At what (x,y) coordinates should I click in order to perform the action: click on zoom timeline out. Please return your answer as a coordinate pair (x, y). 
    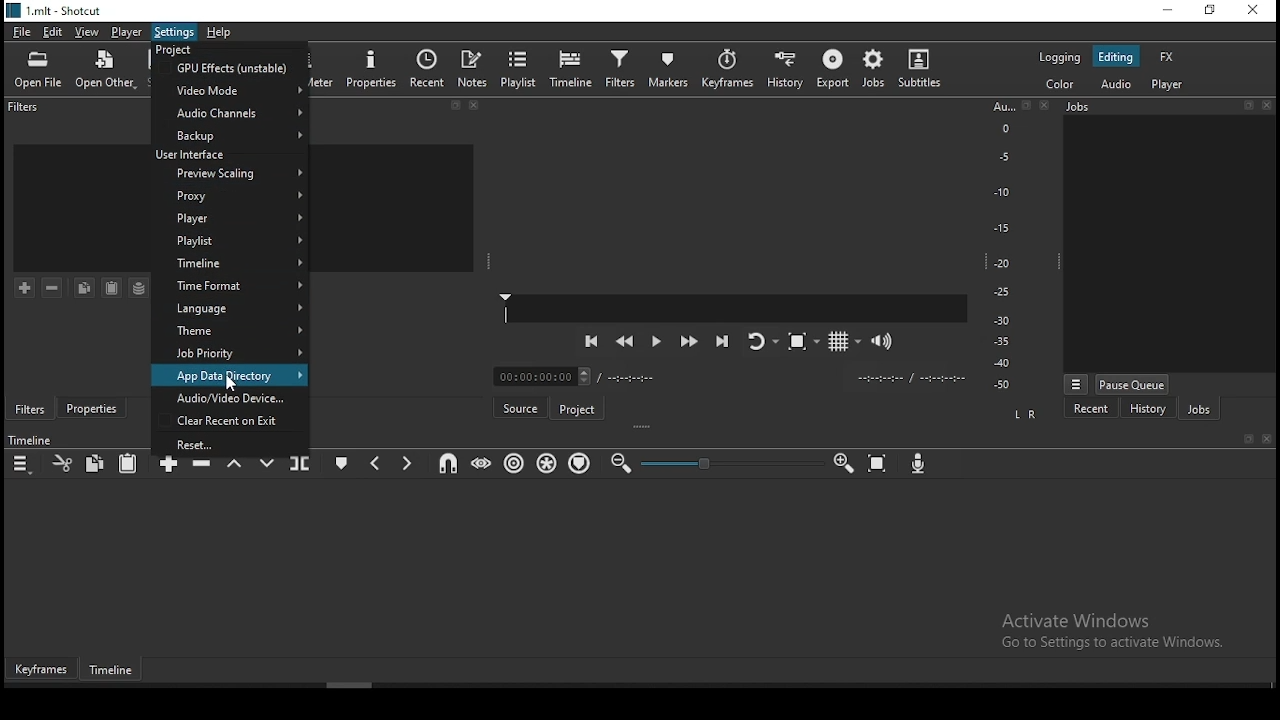
    Looking at the image, I should click on (621, 462).